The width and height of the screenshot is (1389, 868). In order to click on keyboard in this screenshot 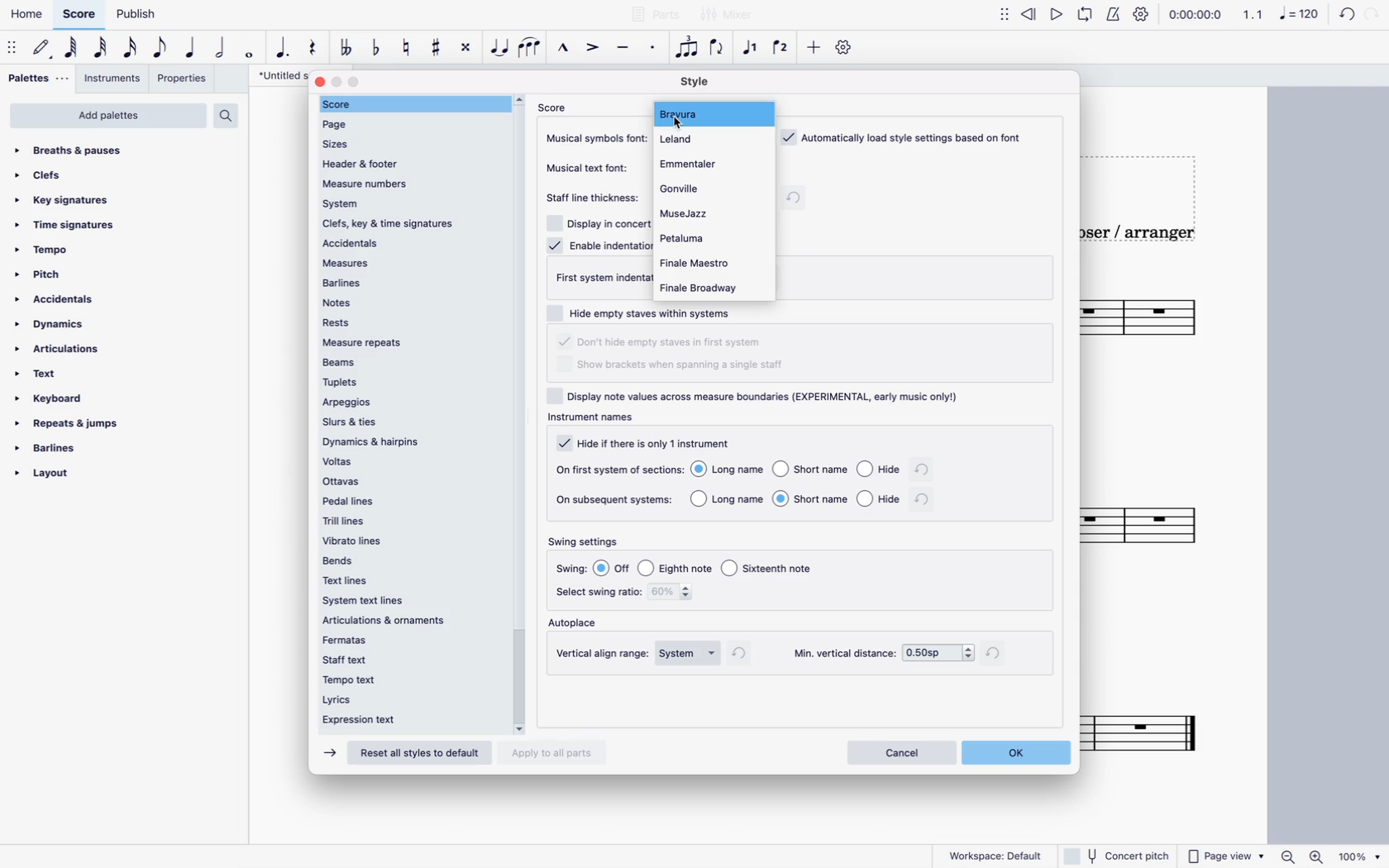, I will do `click(56, 398)`.